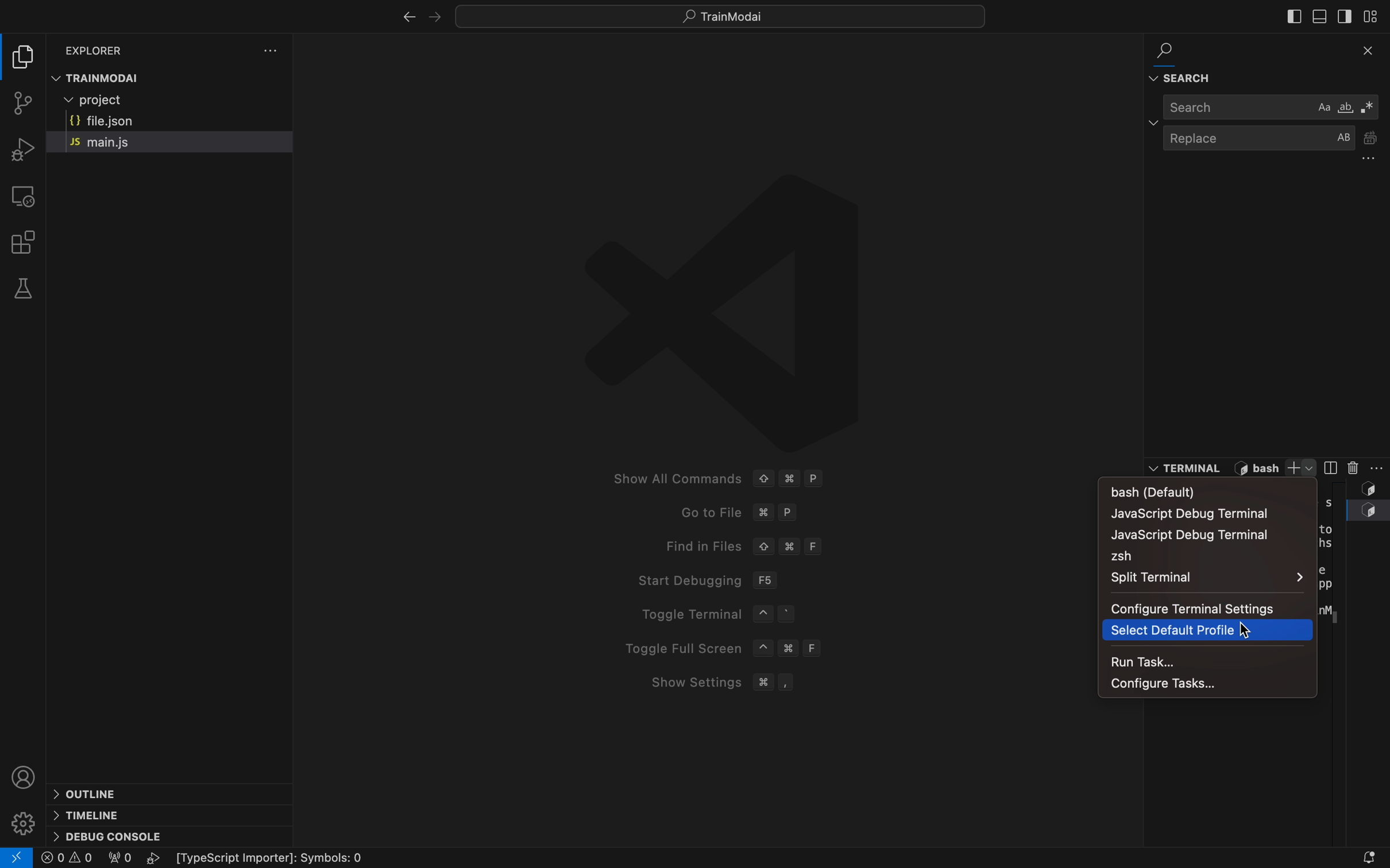 The height and width of the screenshot is (868, 1390). What do you see at coordinates (23, 773) in the screenshot?
I see `profile` at bounding box center [23, 773].